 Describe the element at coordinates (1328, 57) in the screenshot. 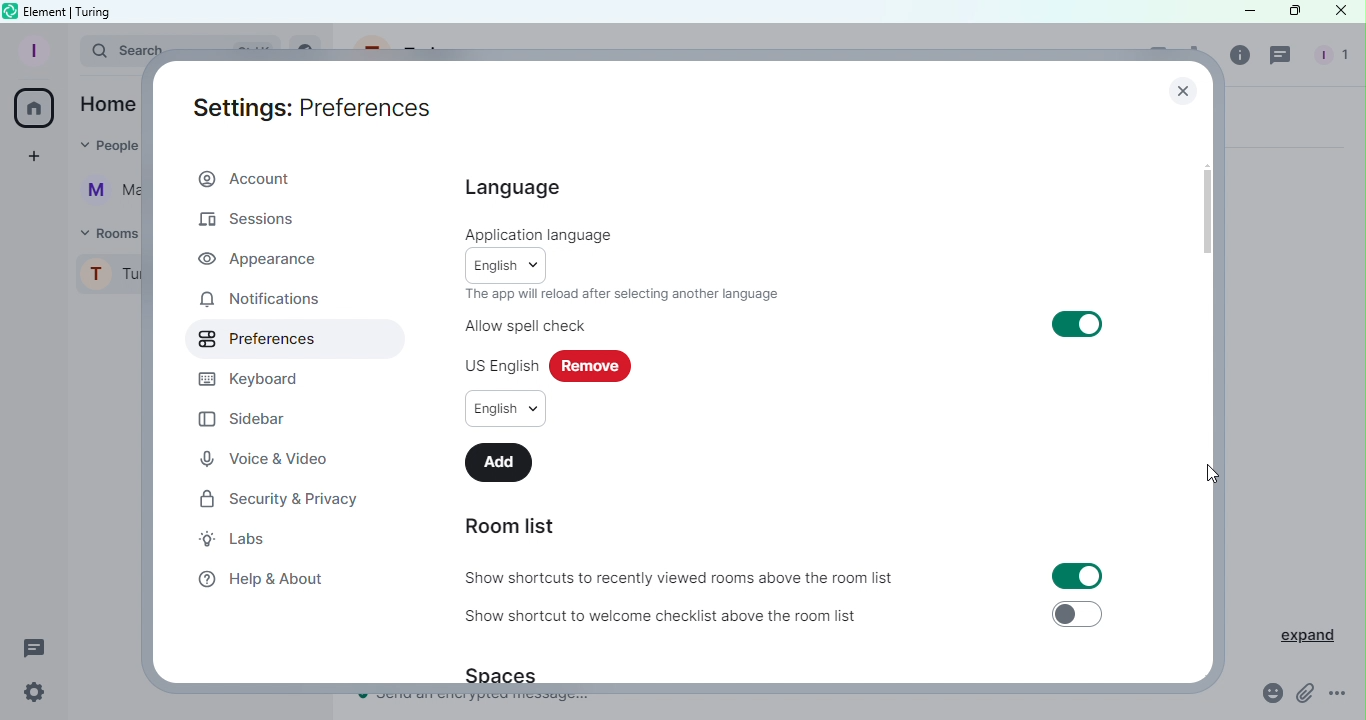

I see `People` at that location.